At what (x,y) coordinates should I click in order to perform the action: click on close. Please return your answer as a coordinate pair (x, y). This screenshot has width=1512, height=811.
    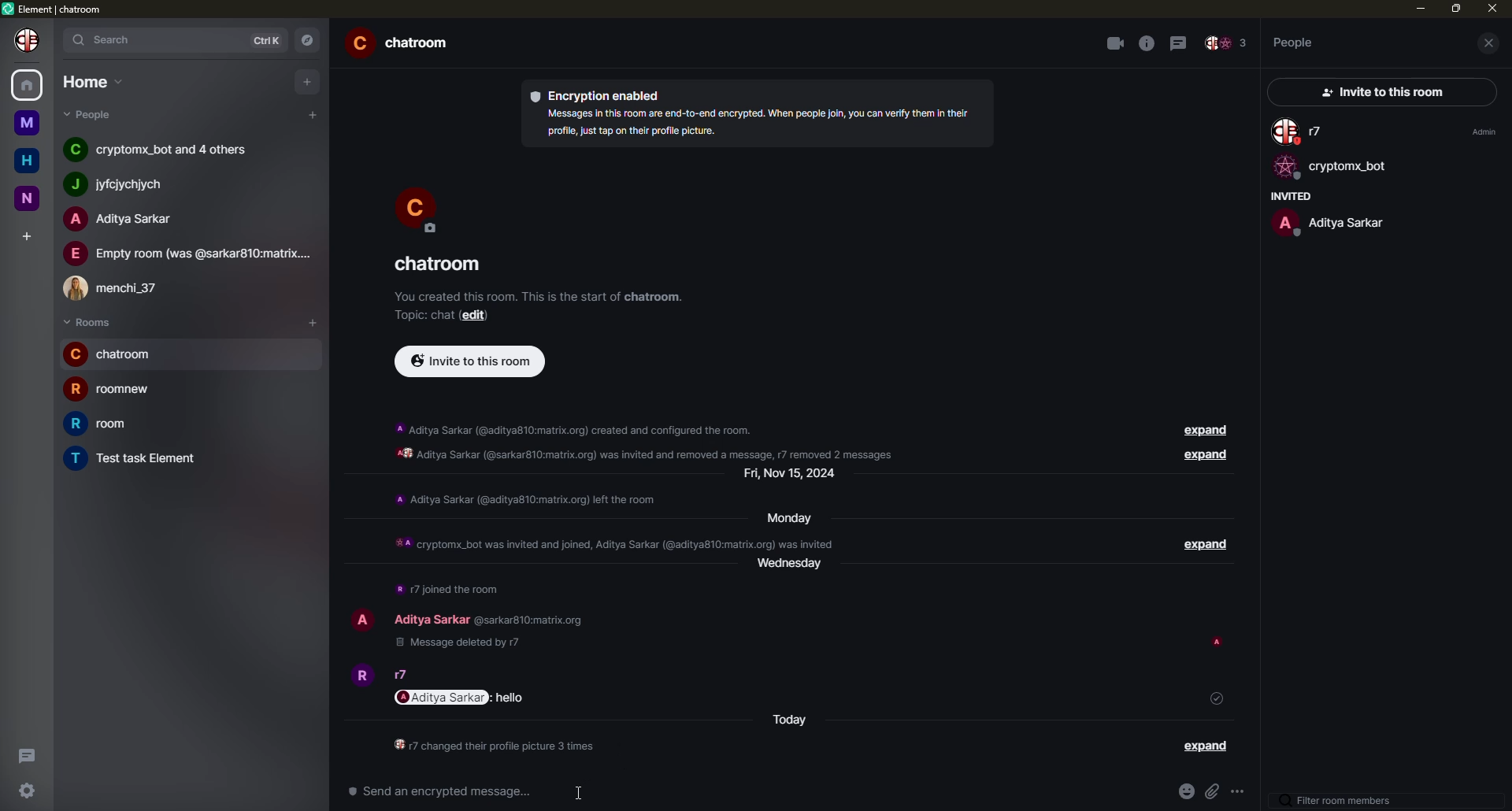
    Looking at the image, I should click on (1492, 9).